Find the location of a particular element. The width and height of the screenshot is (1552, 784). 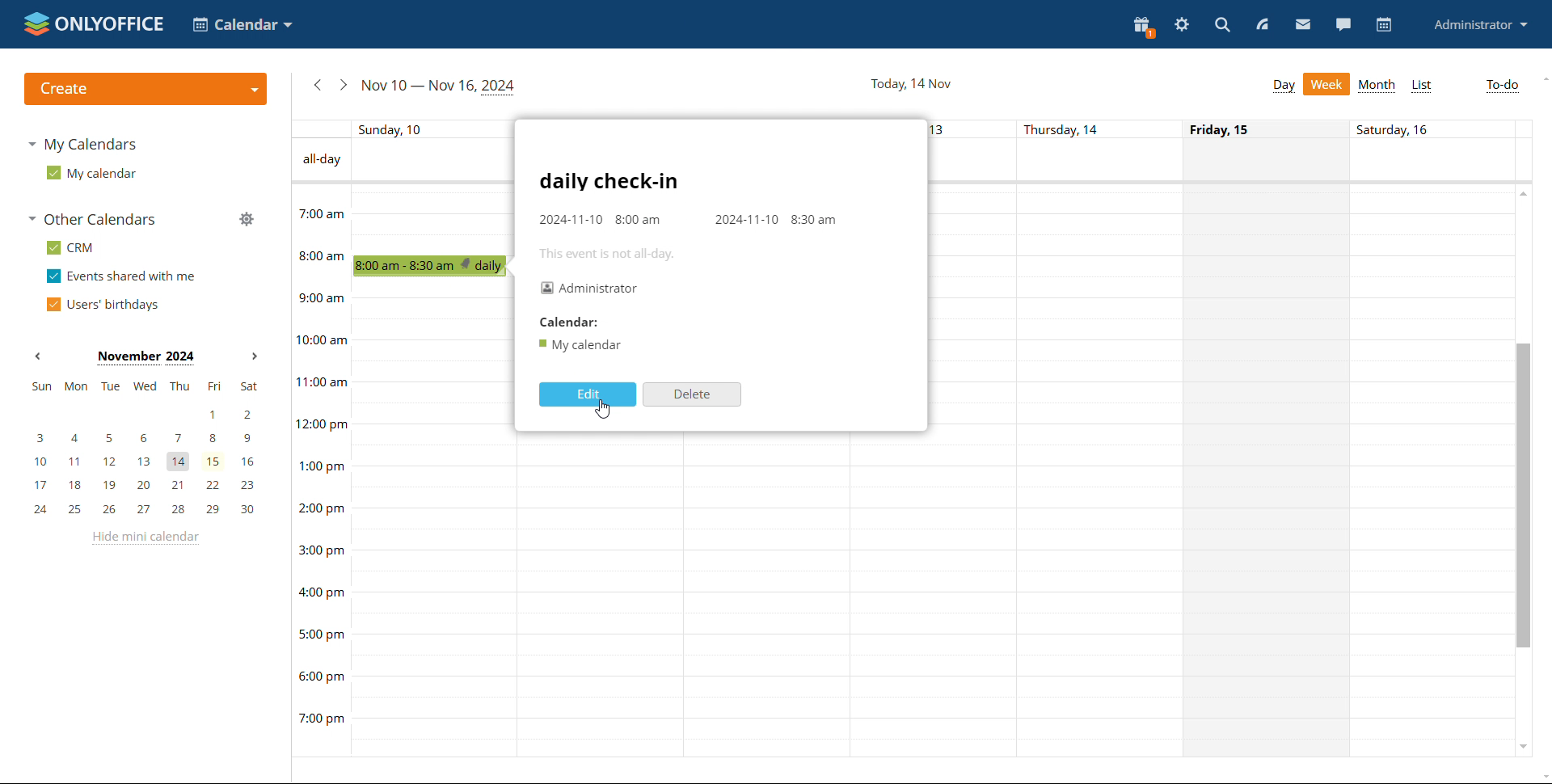

scroll down is located at coordinates (1522, 744).